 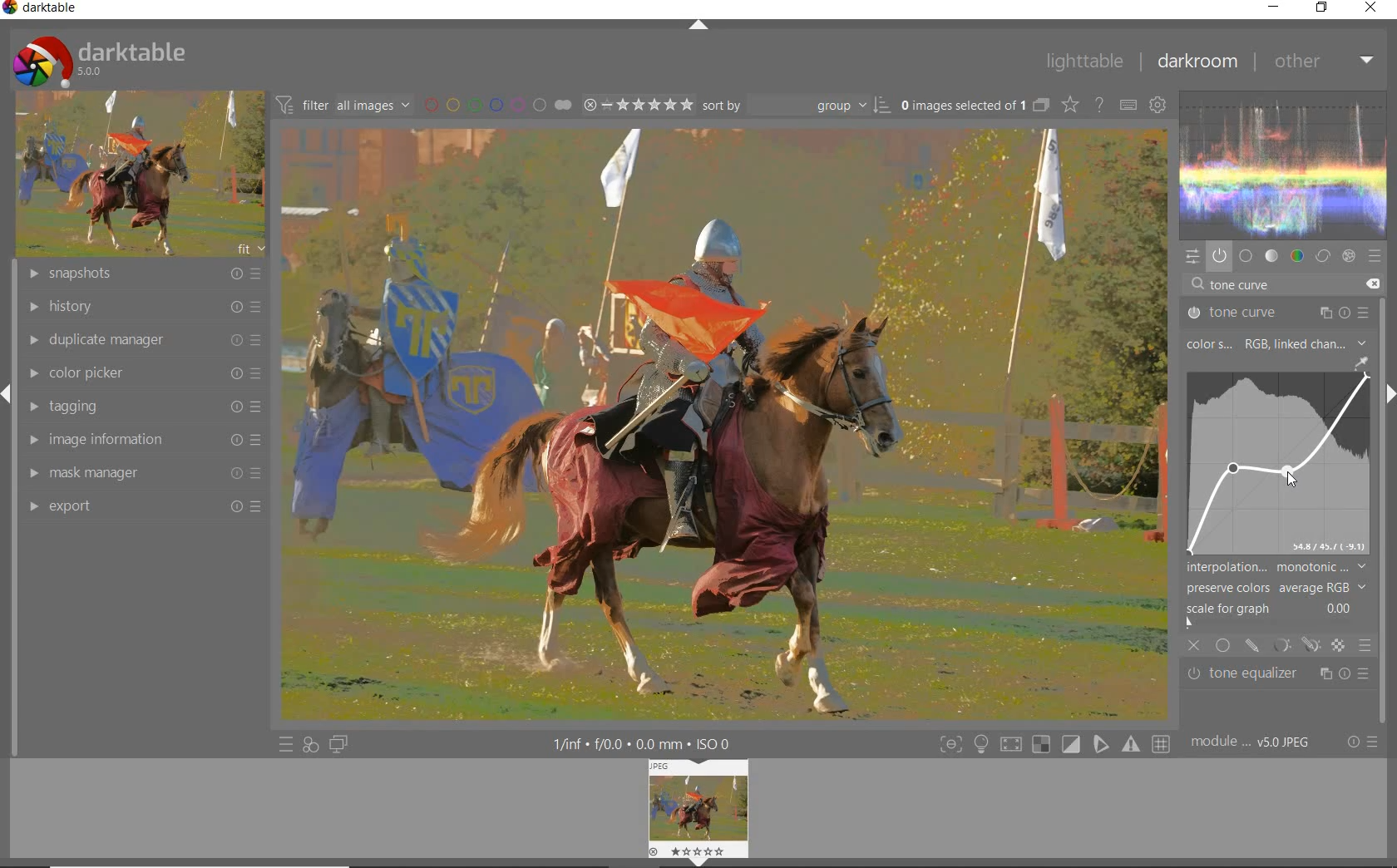 What do you see at coordinates (142, 374) in the screenshot?
I see `color picker` at bounding box center [142, 374].